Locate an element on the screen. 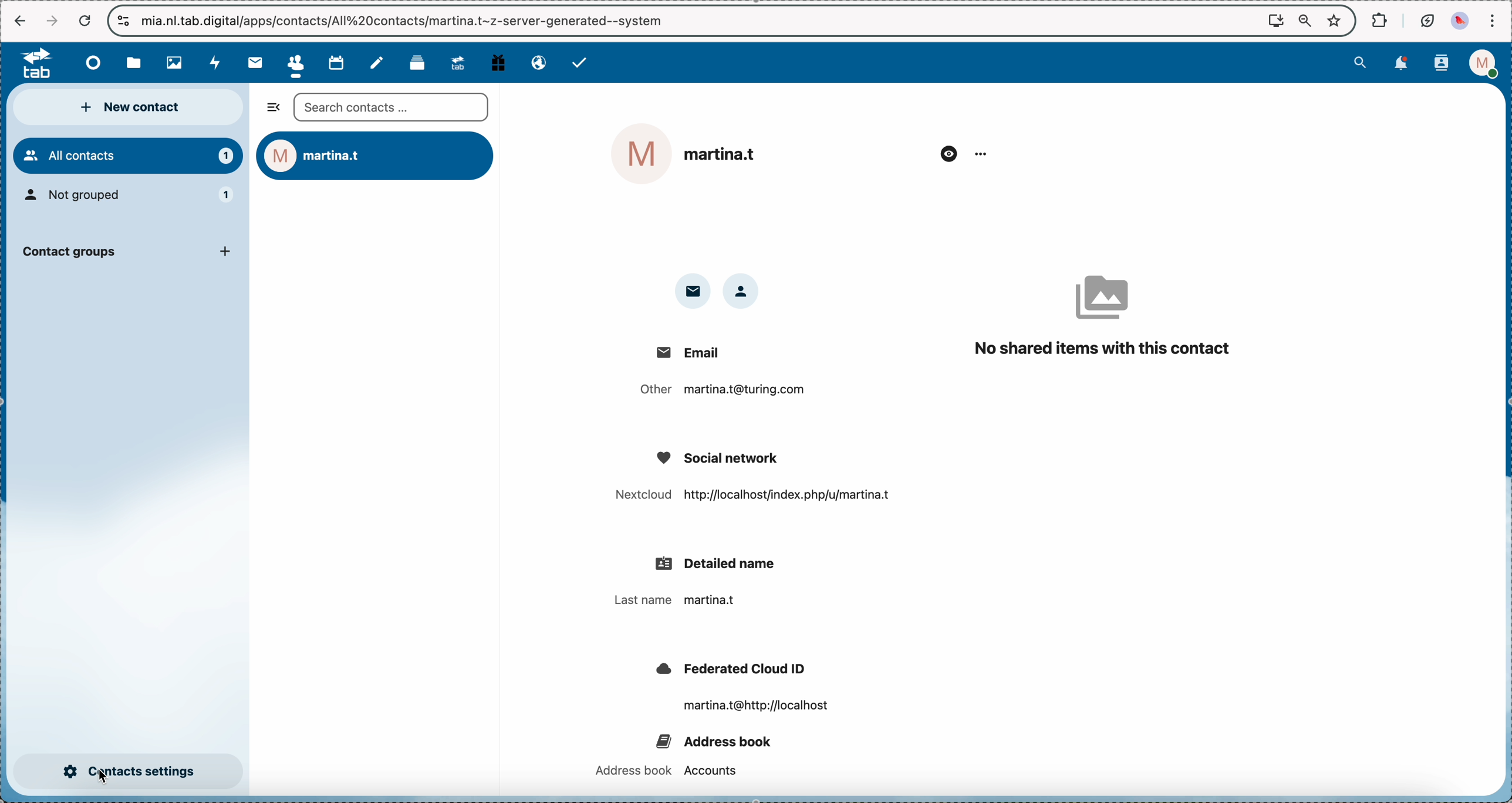 The width and height of the screenshot is (1512, 803). user is located at coordinates (725, 154).